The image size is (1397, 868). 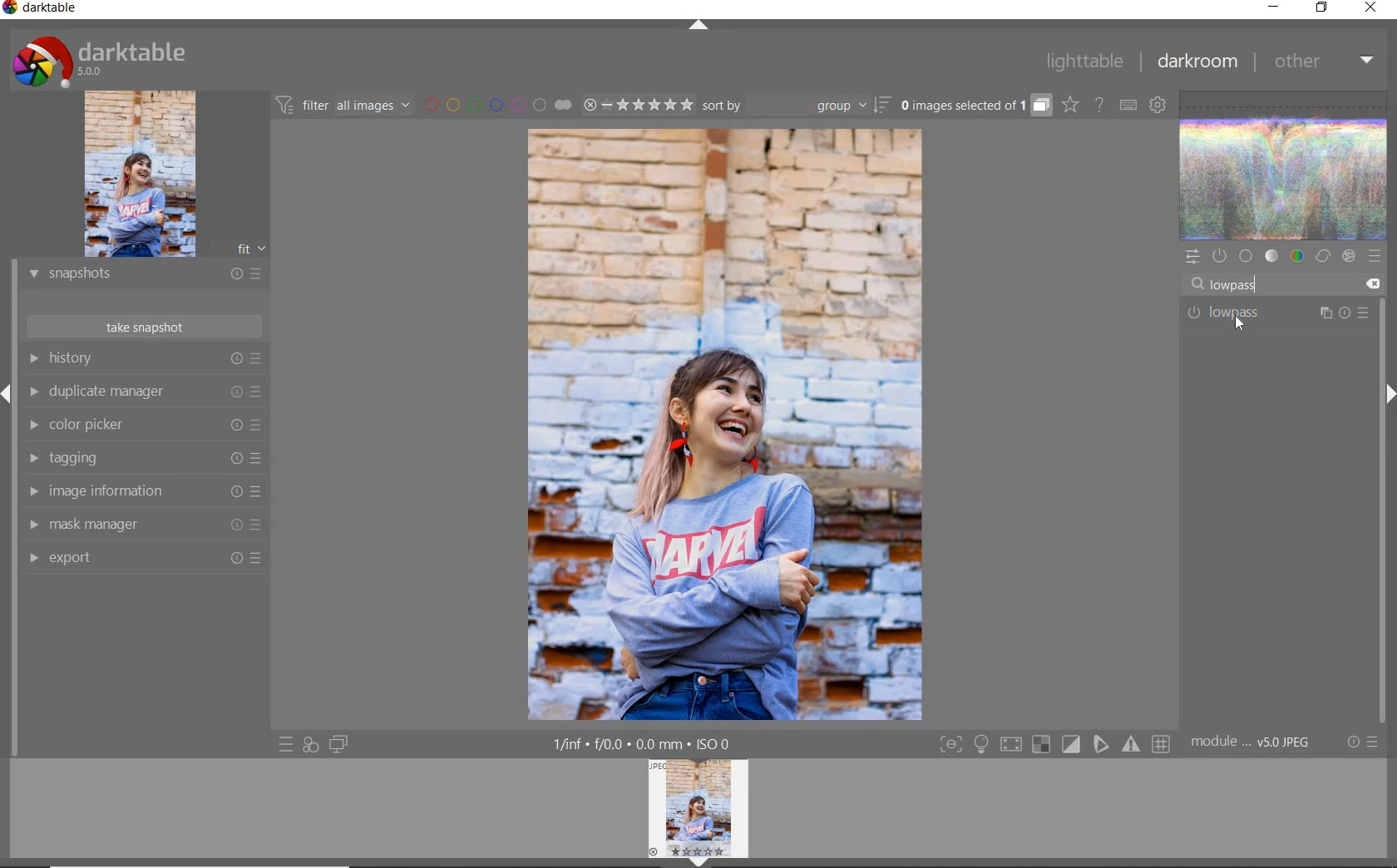 I want to click on duplicate manager, so click(x=146, y=393).